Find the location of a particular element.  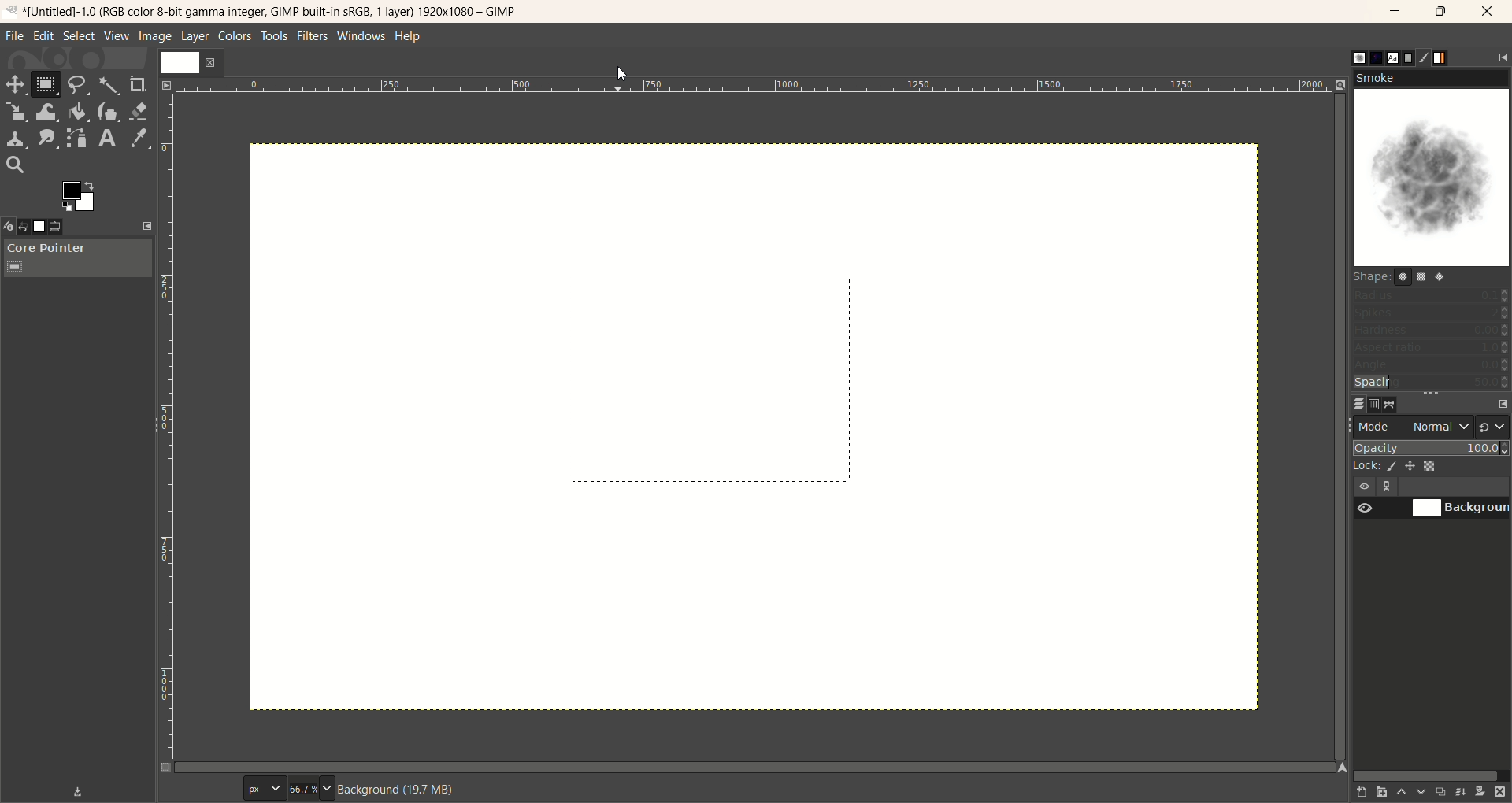

lock position and size is located at coordinates (1408, 465).